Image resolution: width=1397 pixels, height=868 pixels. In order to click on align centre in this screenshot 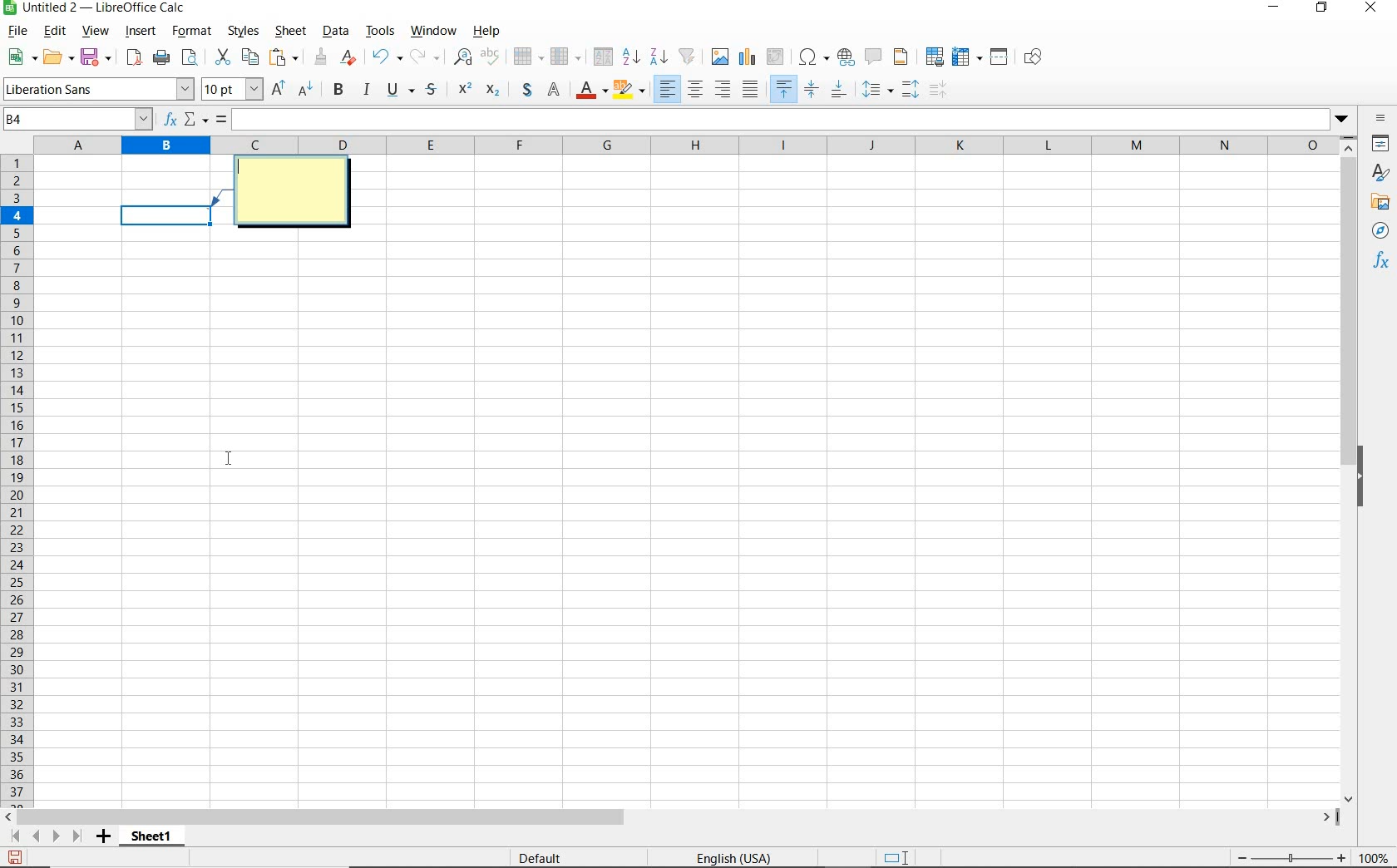, I will do `click(696, 91)`.